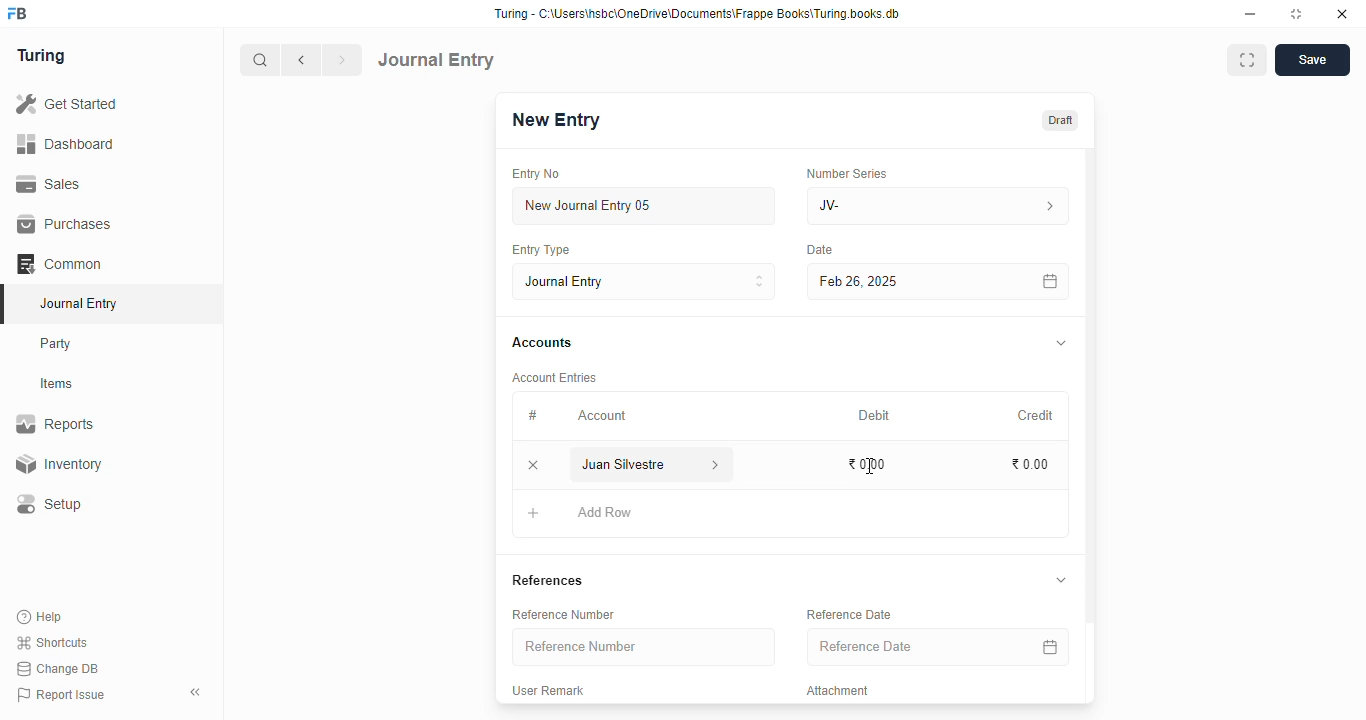 Image resolution: width=1366 pixels, height=720 pixels. What do you see at coordinates (1031, 465) in the screenshot?
I see `₹0.00` at bounding box center [1031, 465].